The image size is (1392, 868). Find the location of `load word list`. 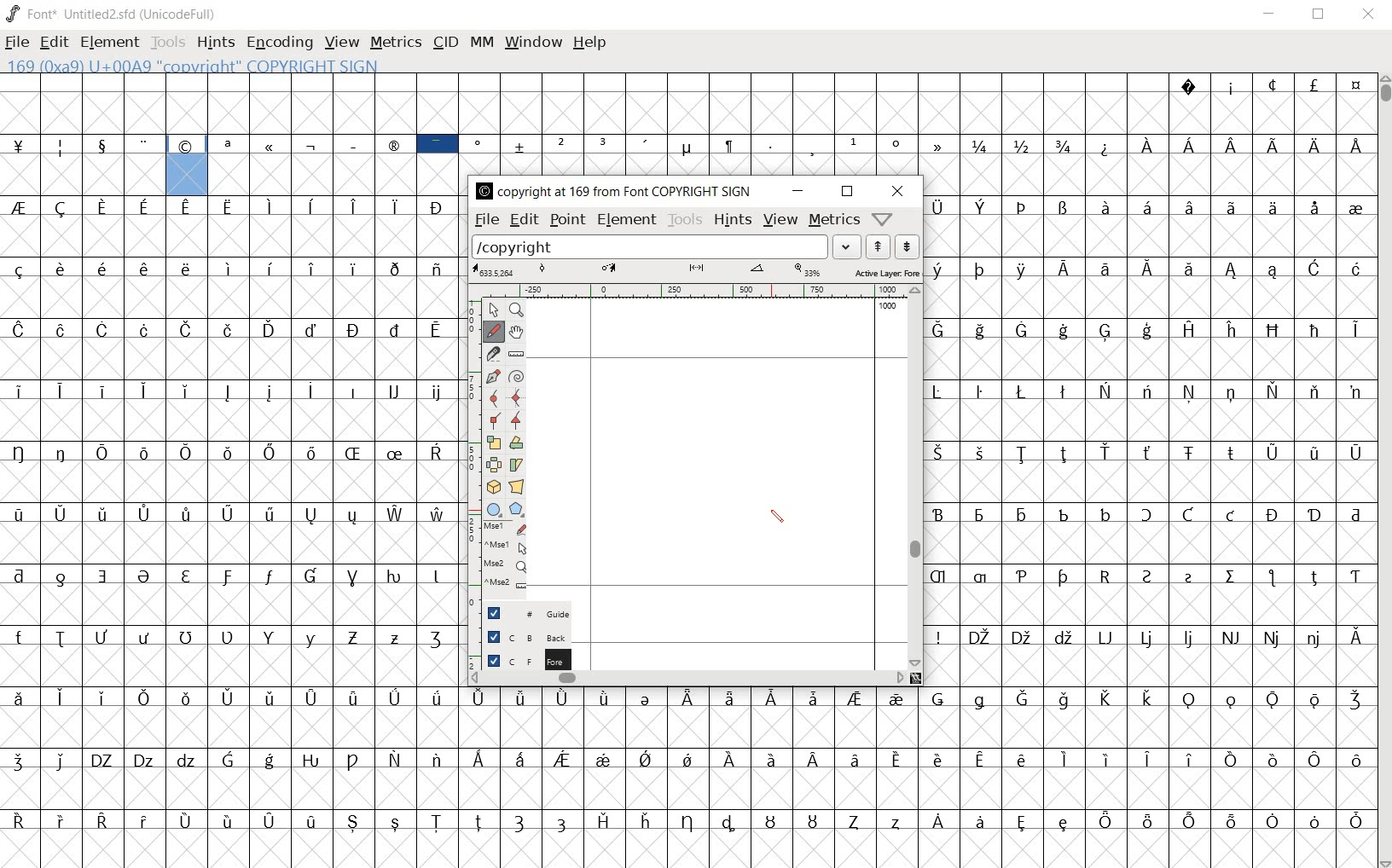

load word list is located at coordinates (665, 246).